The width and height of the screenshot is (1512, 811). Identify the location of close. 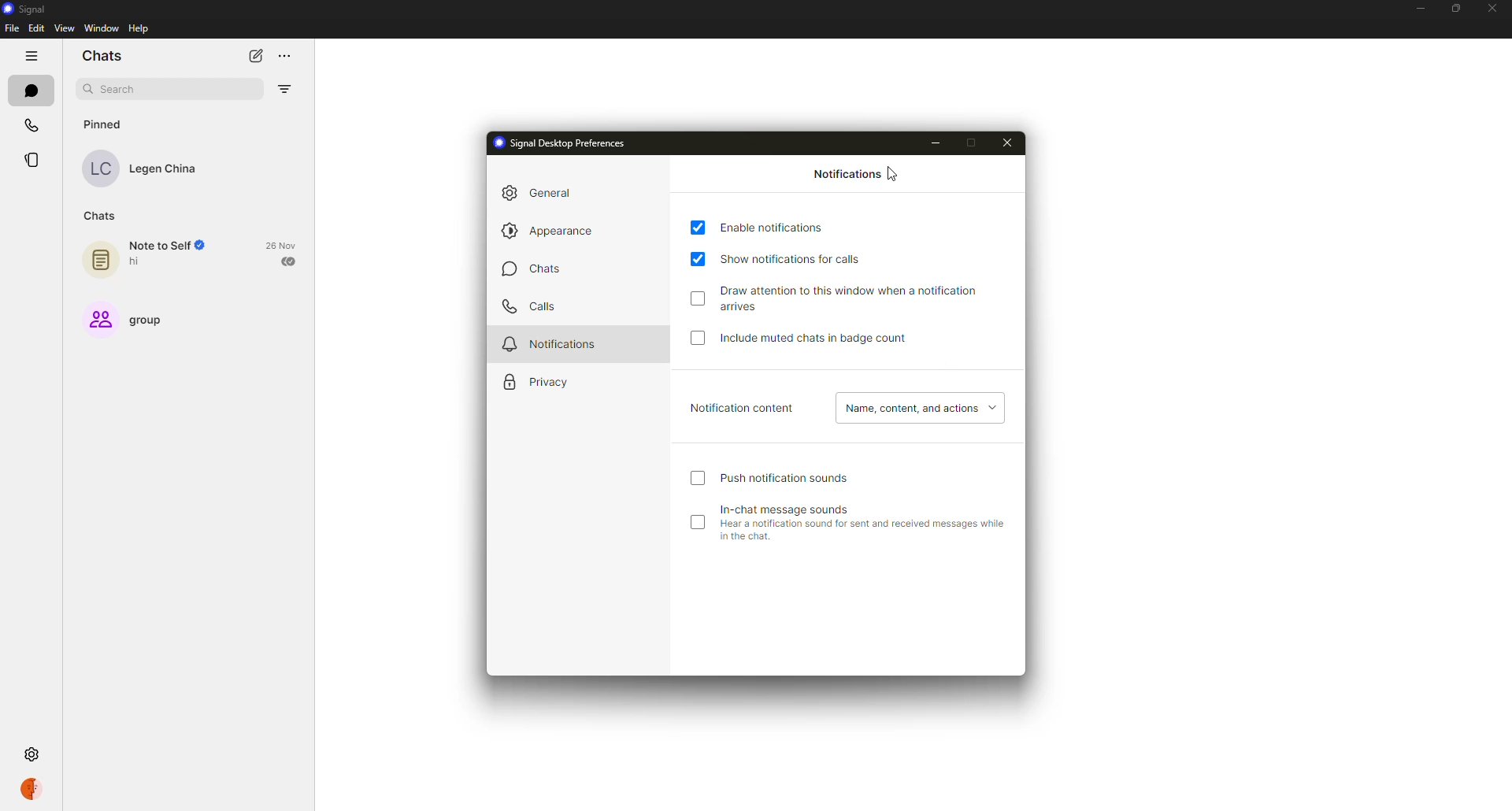
(1495, 6).